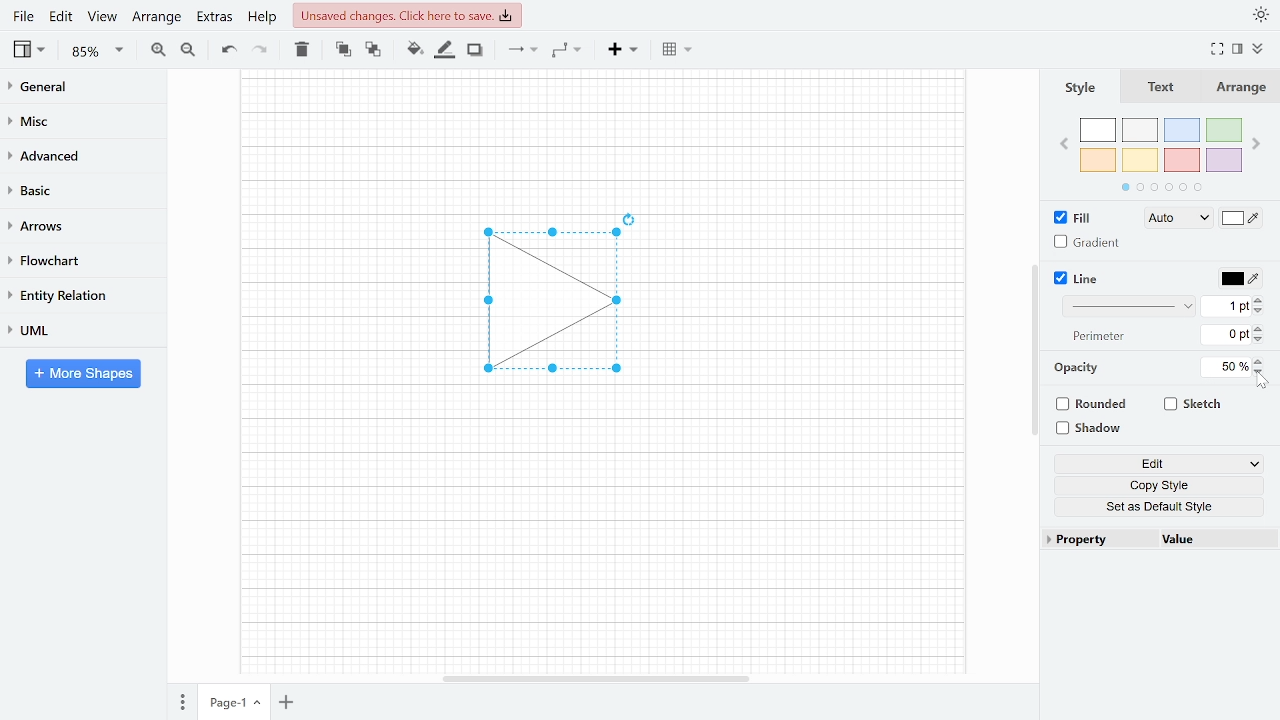  What do you see at coordinates (1063, 142) in the screenshot?
I see `Previous` at bounding box center [1063, 142].